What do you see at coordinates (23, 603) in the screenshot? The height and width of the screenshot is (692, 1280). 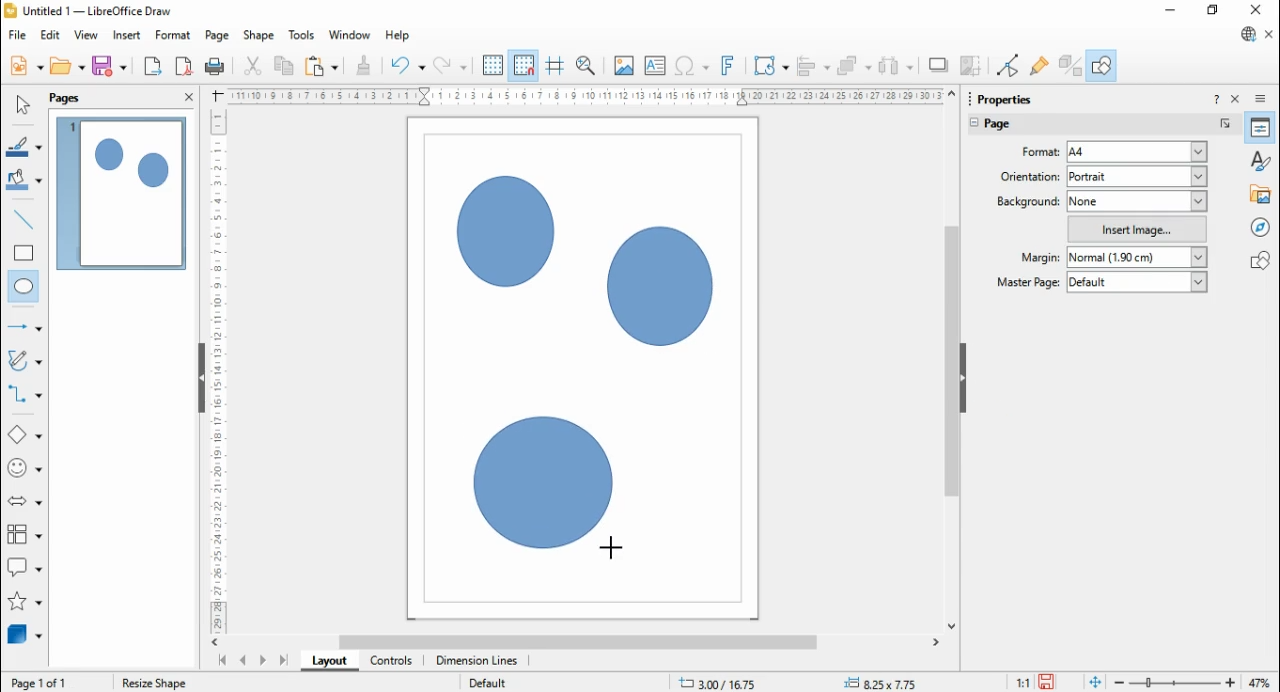 I see `stars and banners ` at bounding box center [23, 603].